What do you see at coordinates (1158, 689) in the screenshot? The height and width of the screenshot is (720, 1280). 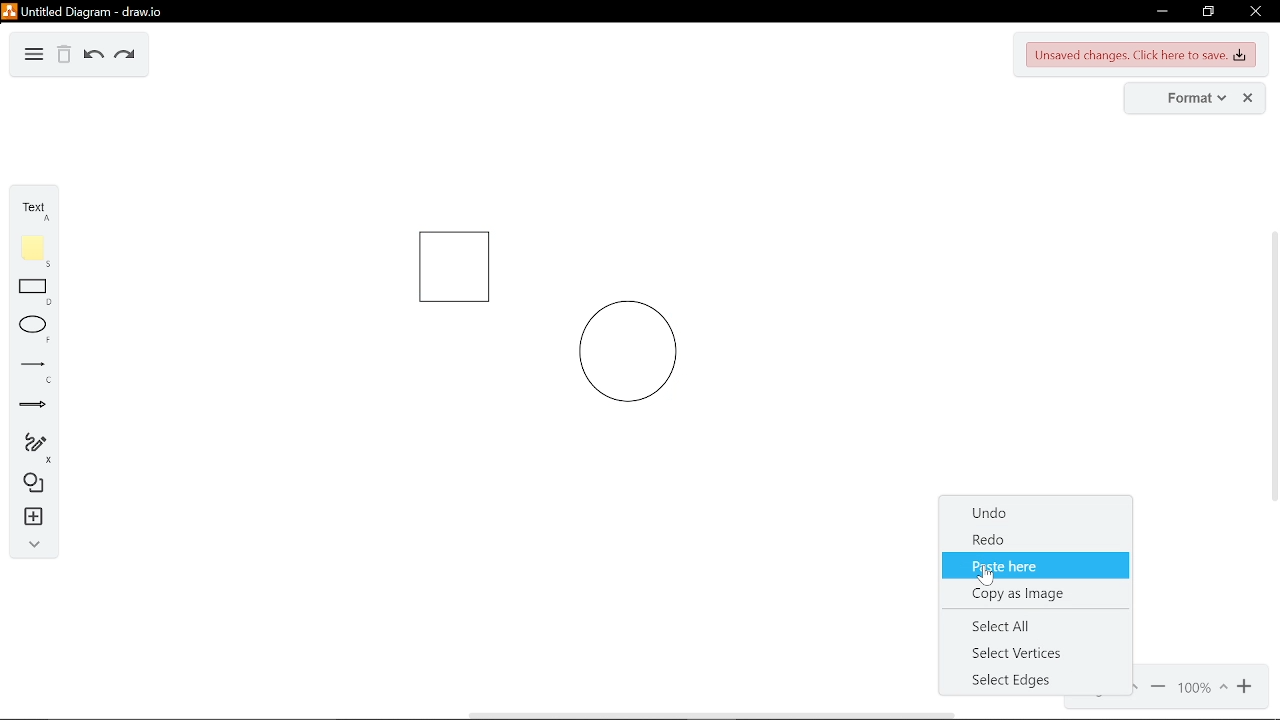 I see `zoom out` at bounding box center [1158, 689].